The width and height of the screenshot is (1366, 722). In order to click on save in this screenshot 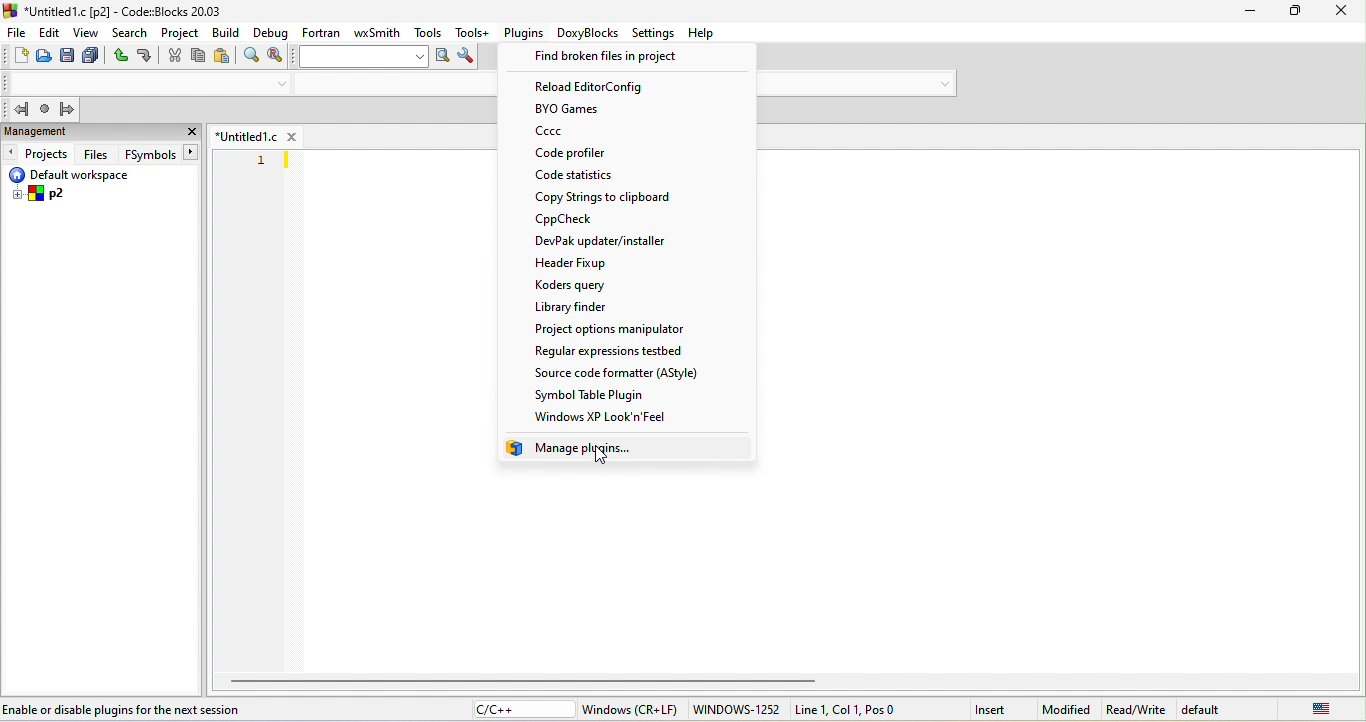, I will do `click(66, 57)`.